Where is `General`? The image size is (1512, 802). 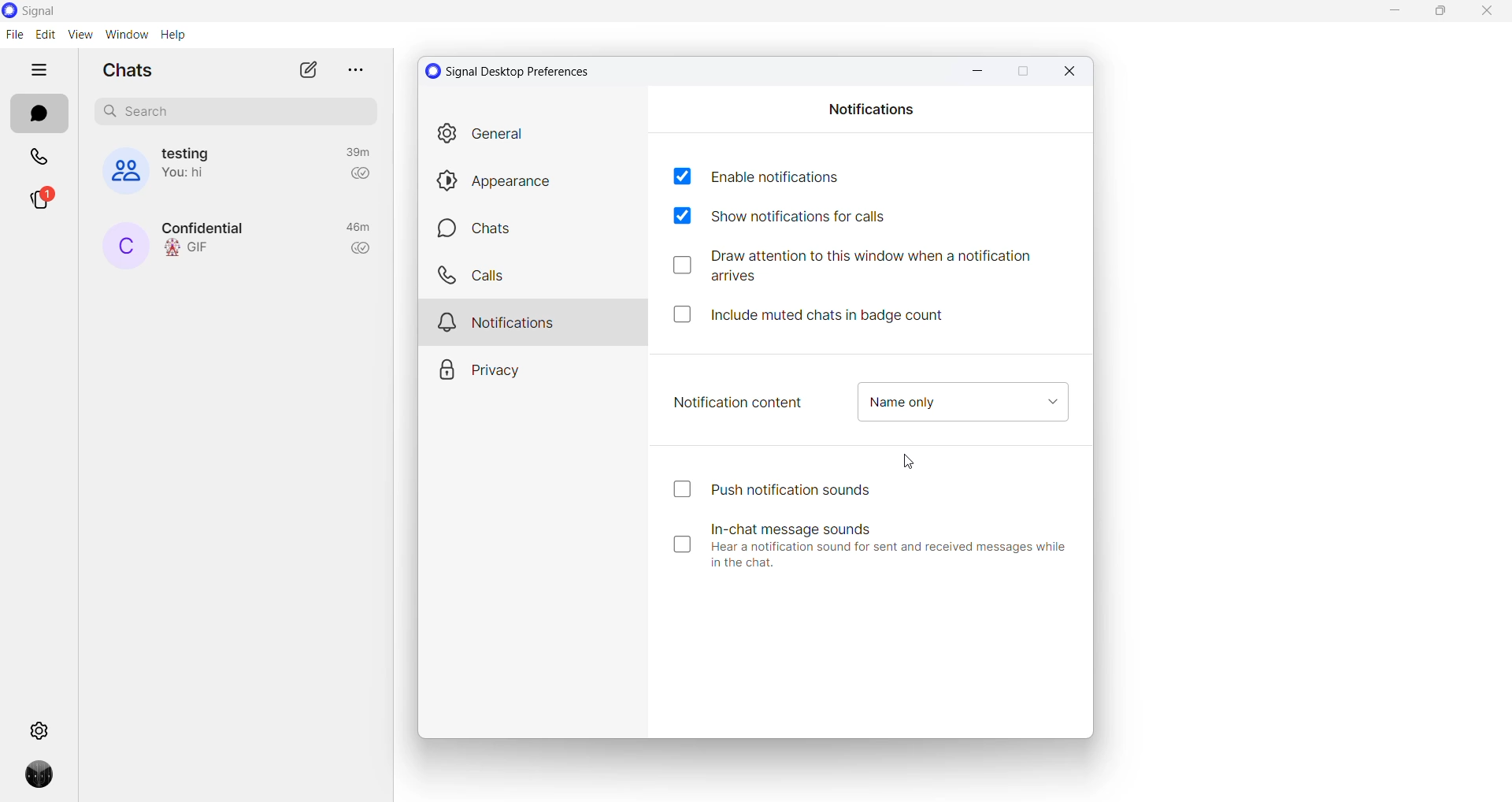 General is located at coordinates (535, 137).